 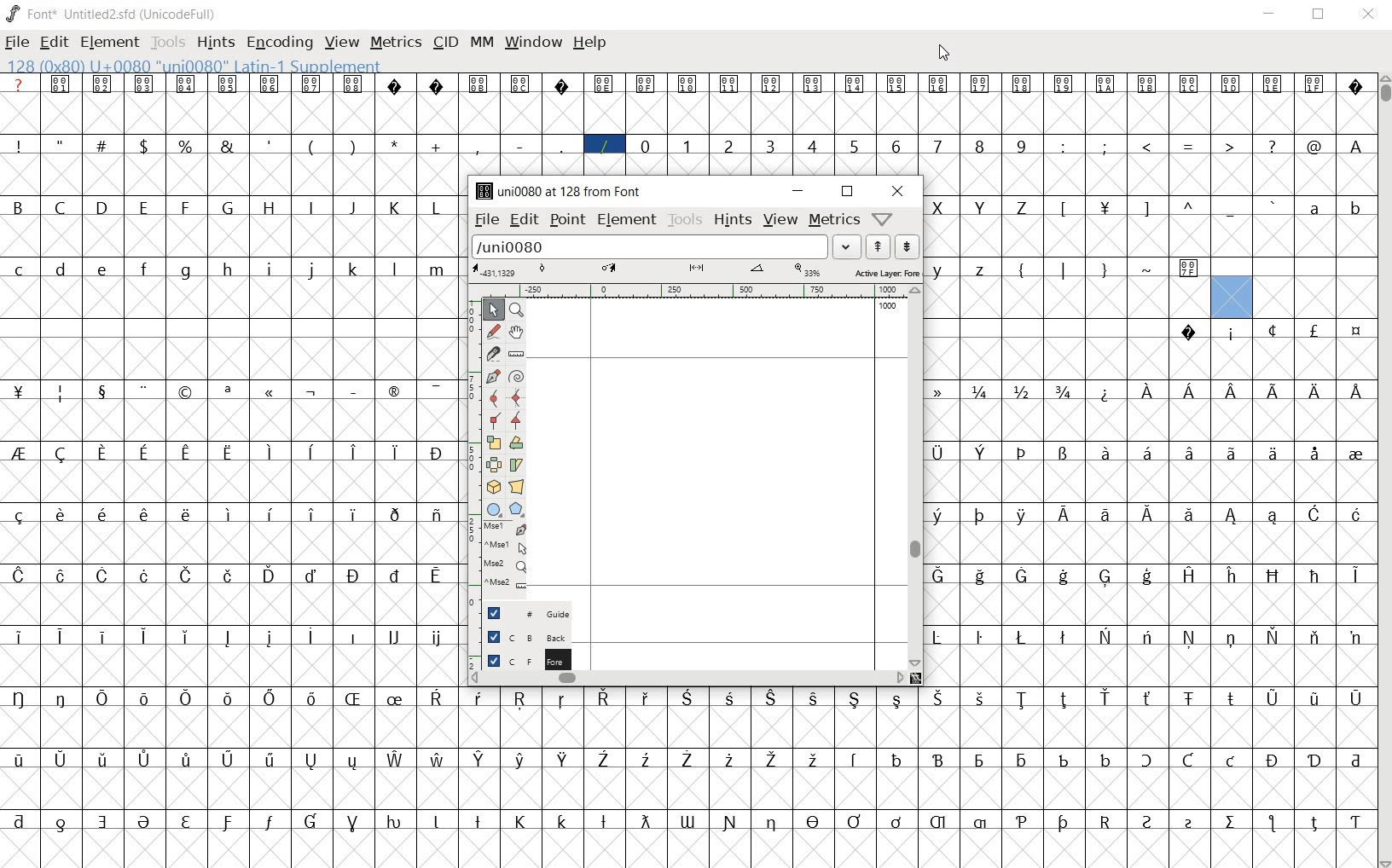 I want to click on glyph, so click(x=185, y=146).